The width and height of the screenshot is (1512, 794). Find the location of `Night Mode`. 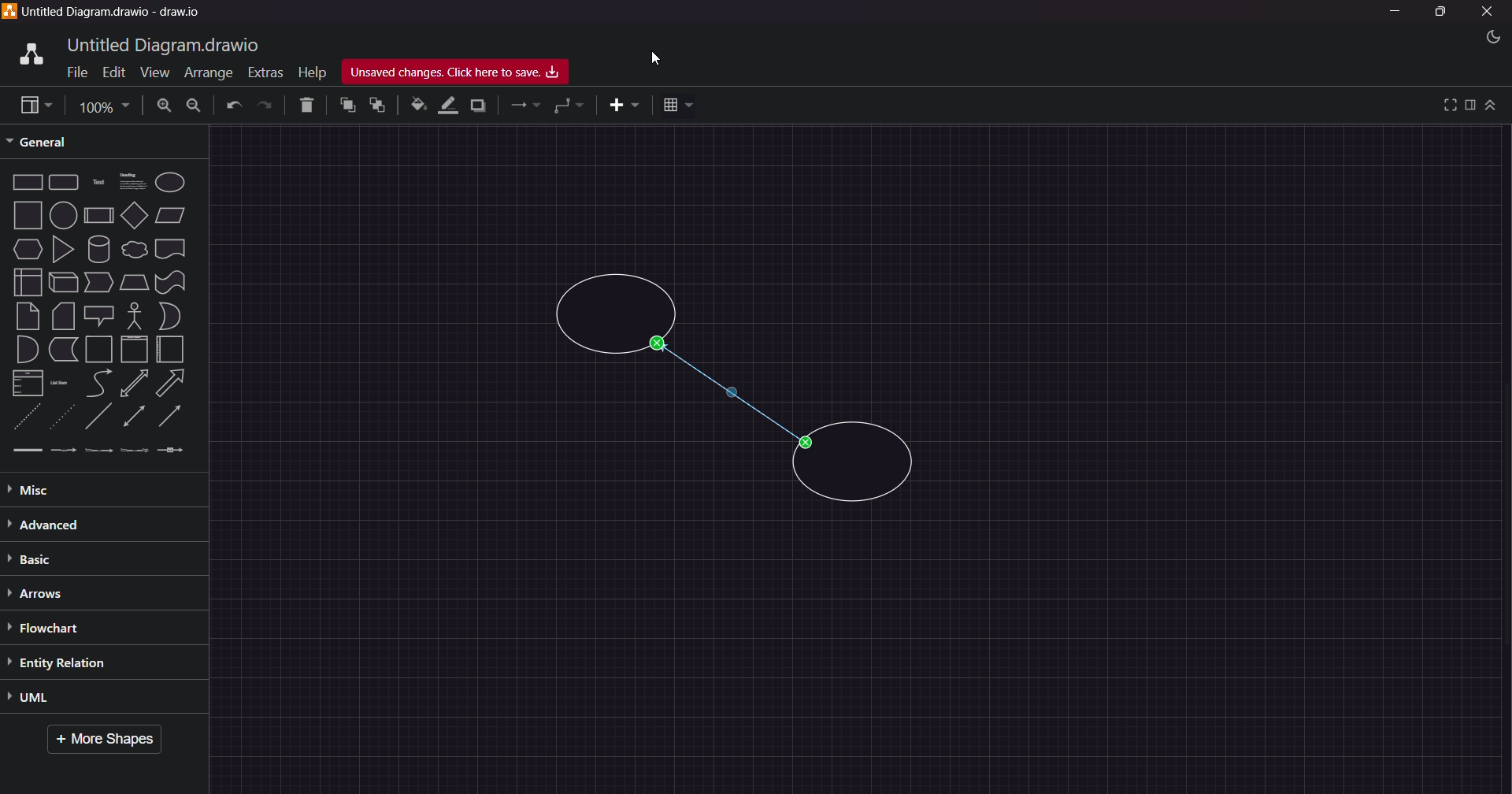

Night Mode is located at coordinates (1484, 37).